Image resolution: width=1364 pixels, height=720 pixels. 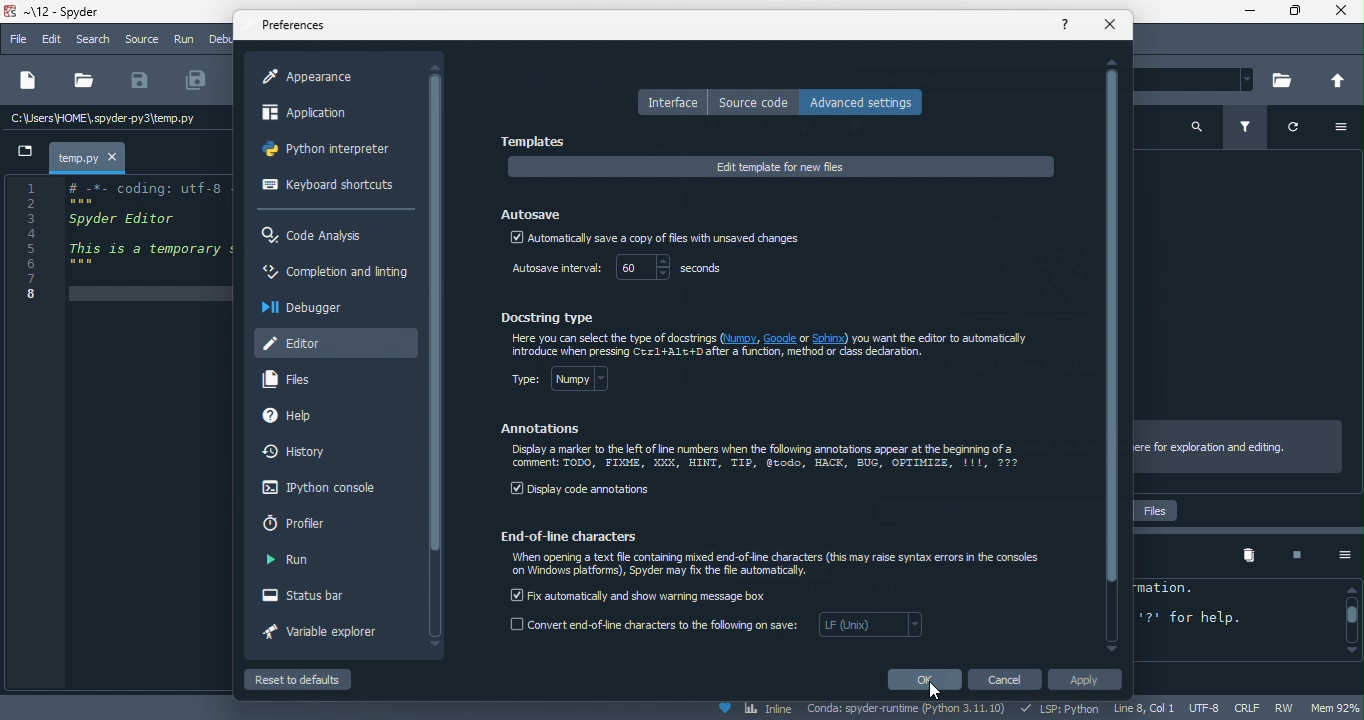 What do you see at coordinates (1337, 555) in the screenshot?
I see `option` at bounding box center [1337, 555].